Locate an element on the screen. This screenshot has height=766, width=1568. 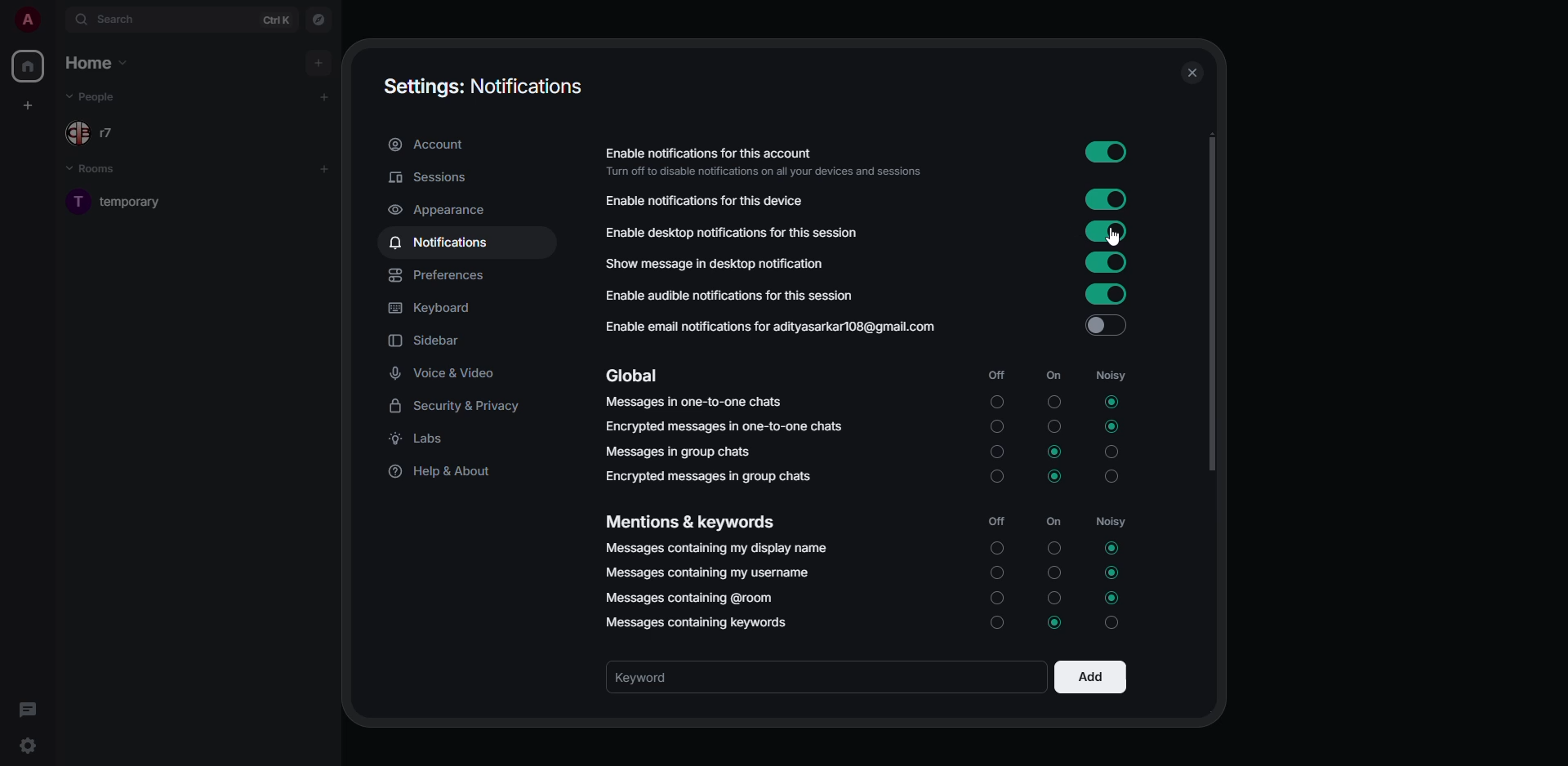
labs is located at coordinates (423, 440).